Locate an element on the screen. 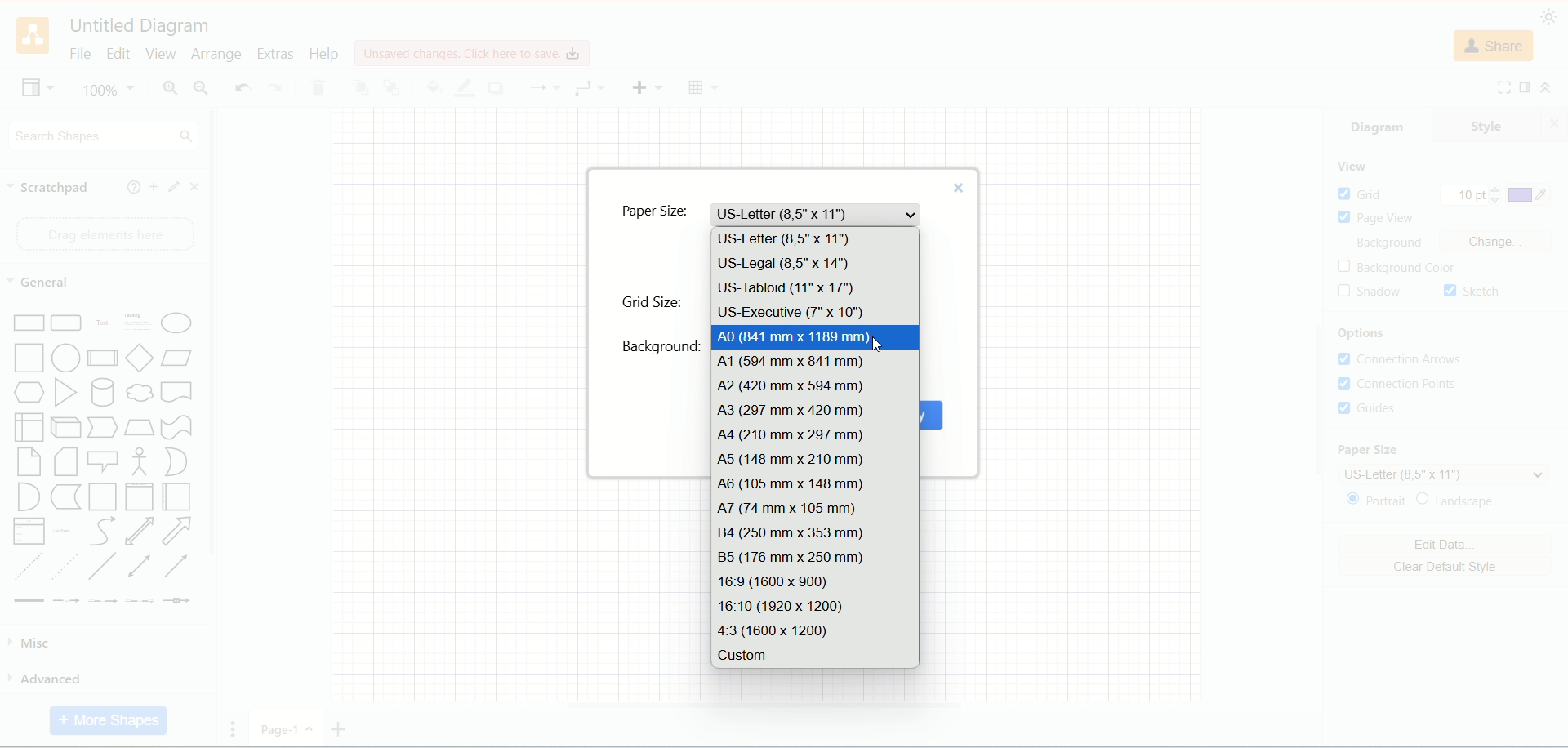  share is located at coordinates (1496, 47).